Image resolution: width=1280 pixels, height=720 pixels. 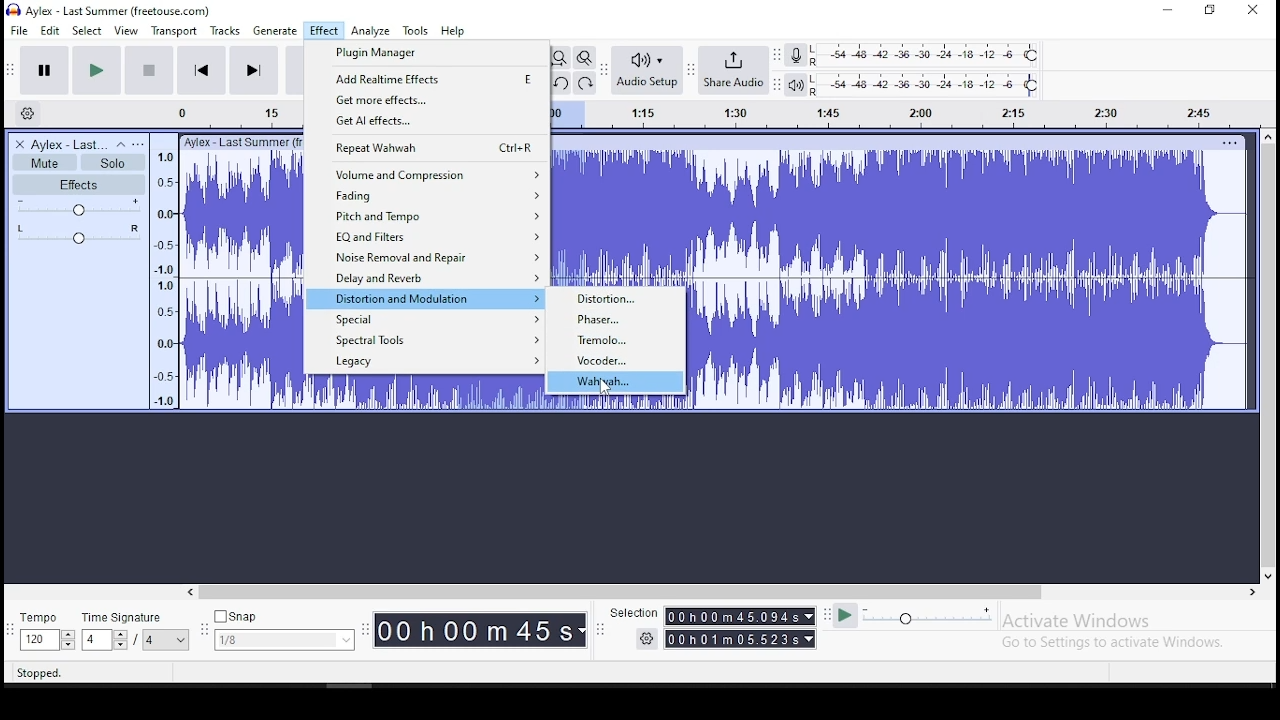 I want to click on tracks, so click(x=225, y=31).